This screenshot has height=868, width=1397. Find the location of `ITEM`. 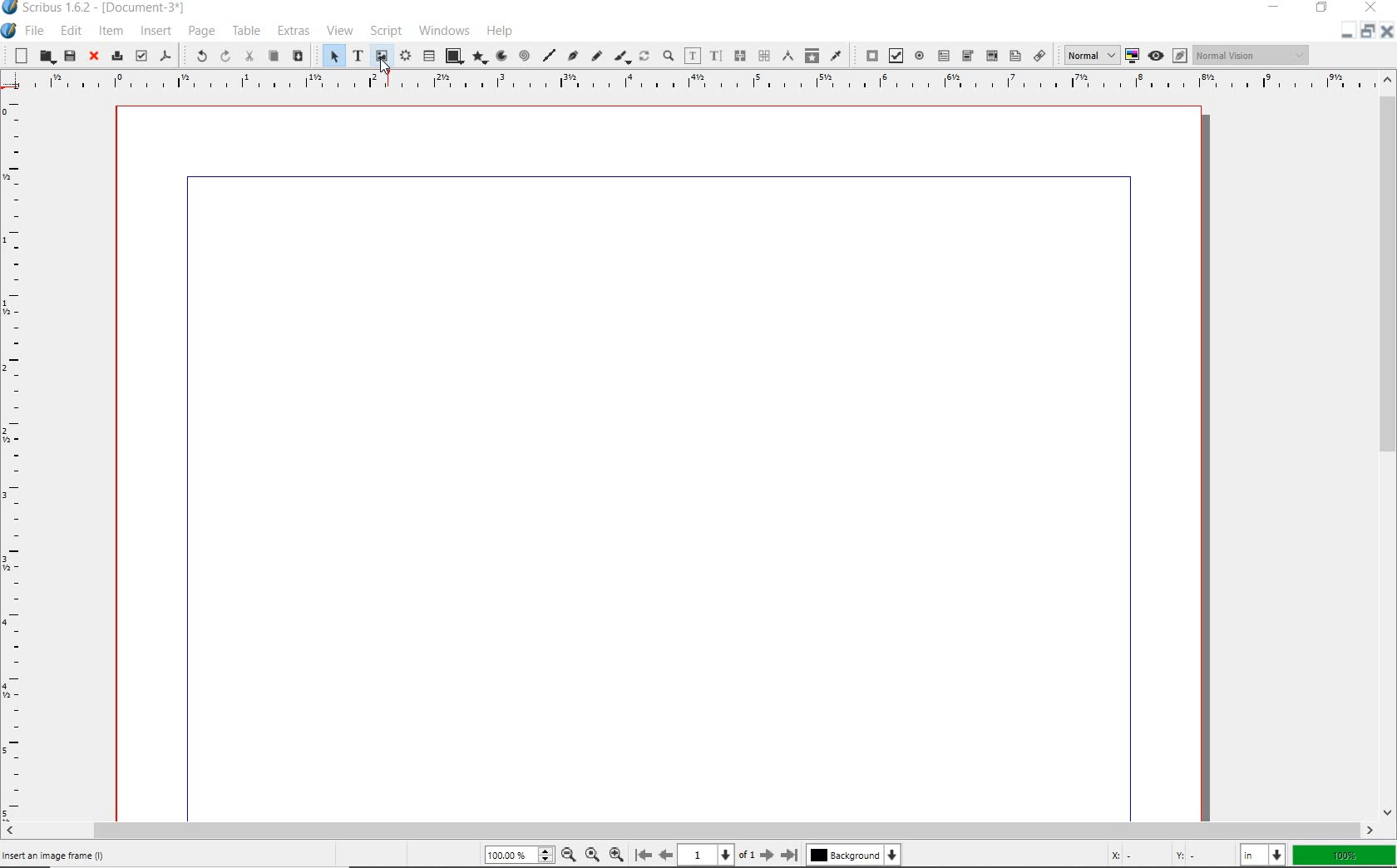

ITEM is located at coordinates (111, 30).